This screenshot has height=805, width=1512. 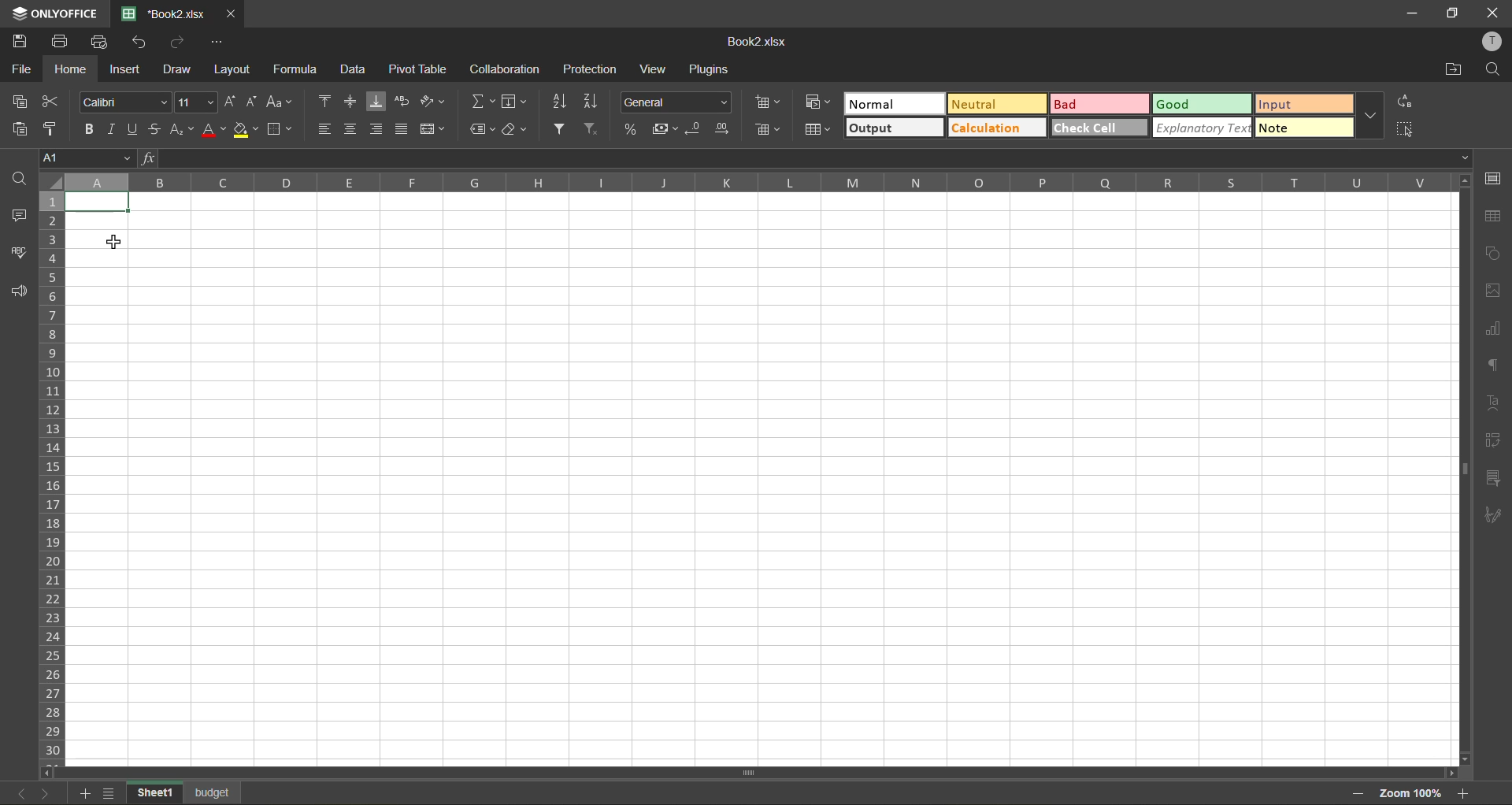 What do you see at coordinates (1370, 117) in the screenshot?
I see `more options` at bounding box center [1370, 117].